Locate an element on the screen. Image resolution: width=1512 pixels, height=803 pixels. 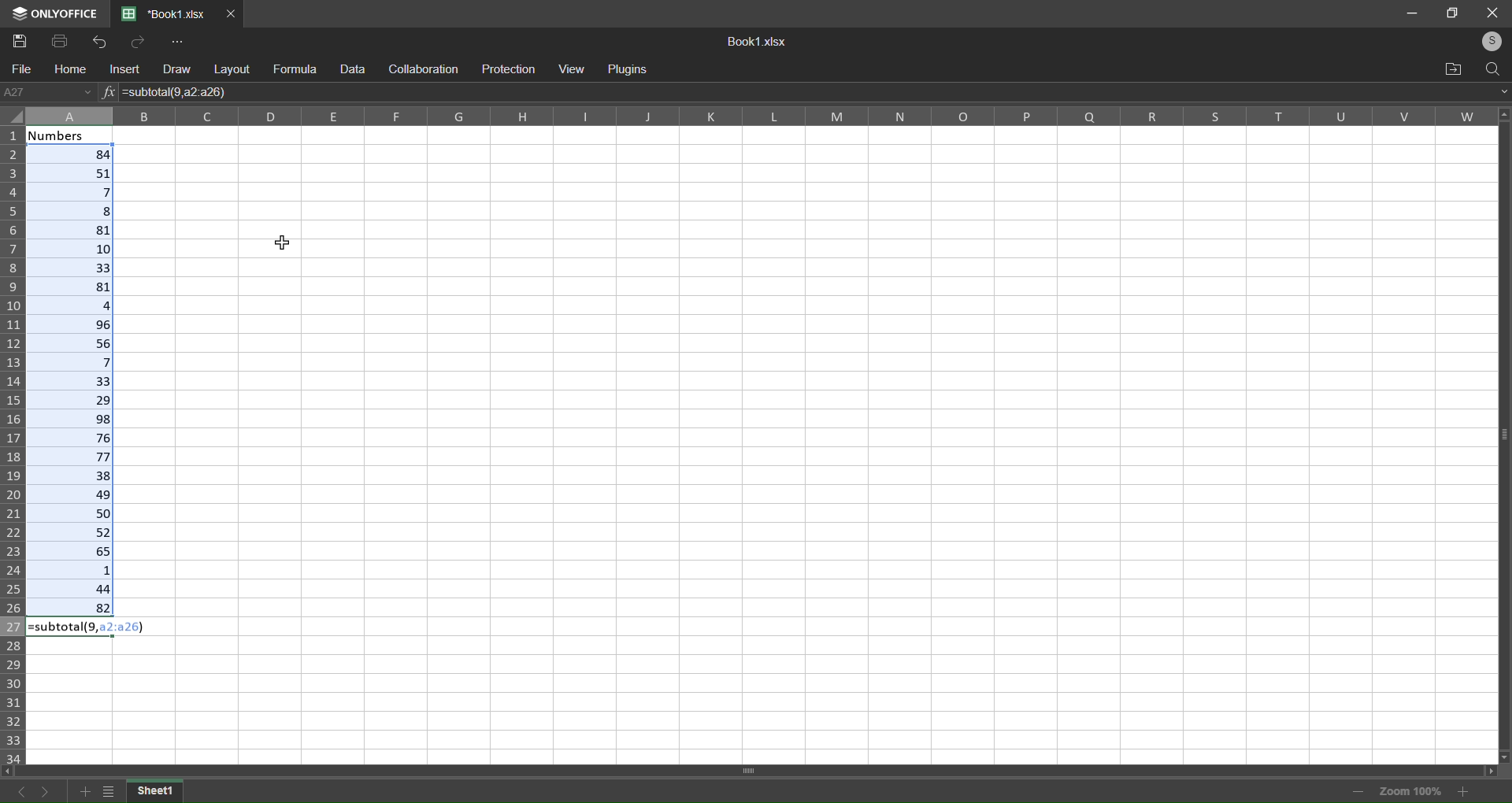
zoom out is located at coordinates (1353, 791).